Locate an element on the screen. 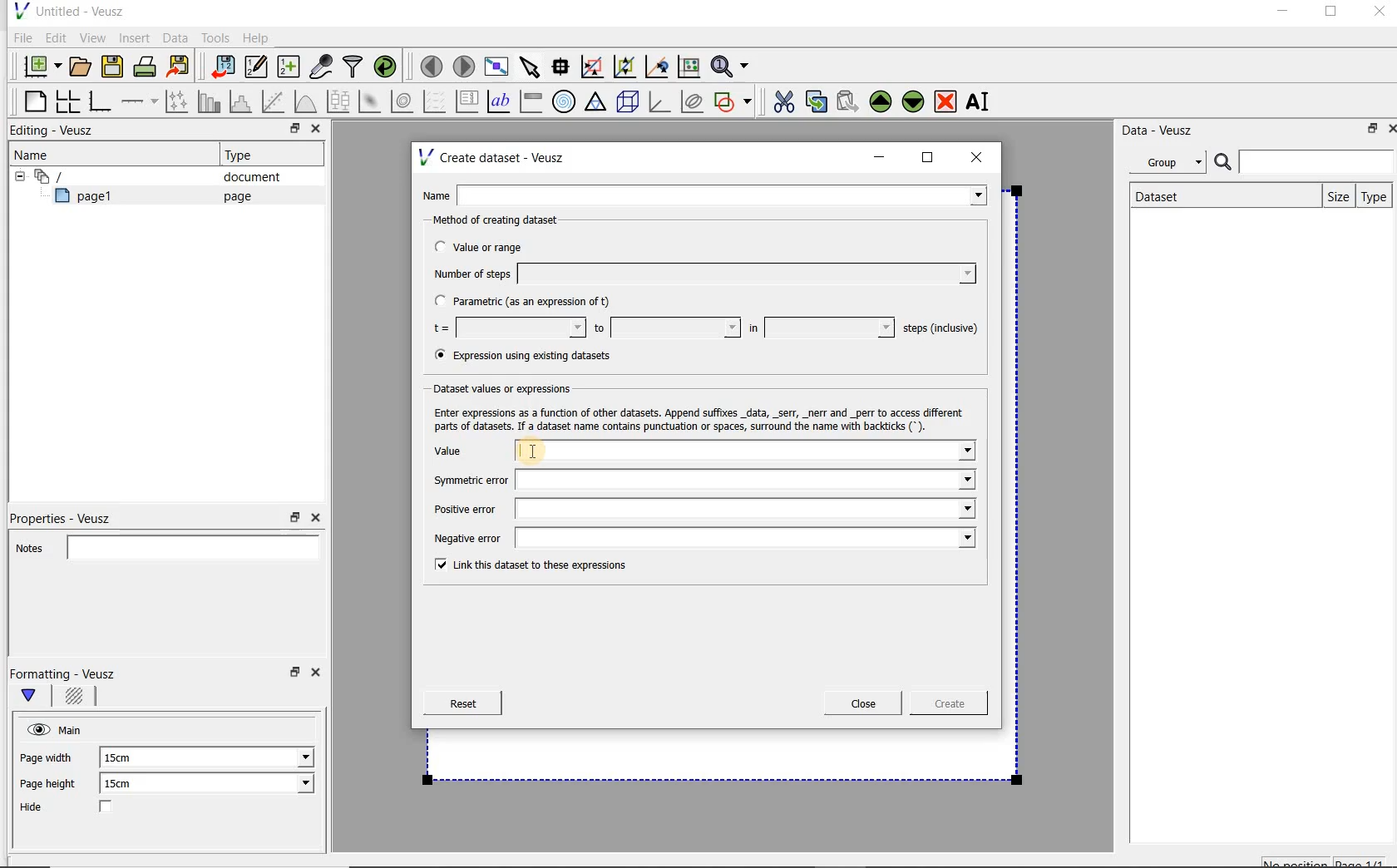 This screenshot has height=868, width=1397. move to the next page is located at coordinates (464, 67).